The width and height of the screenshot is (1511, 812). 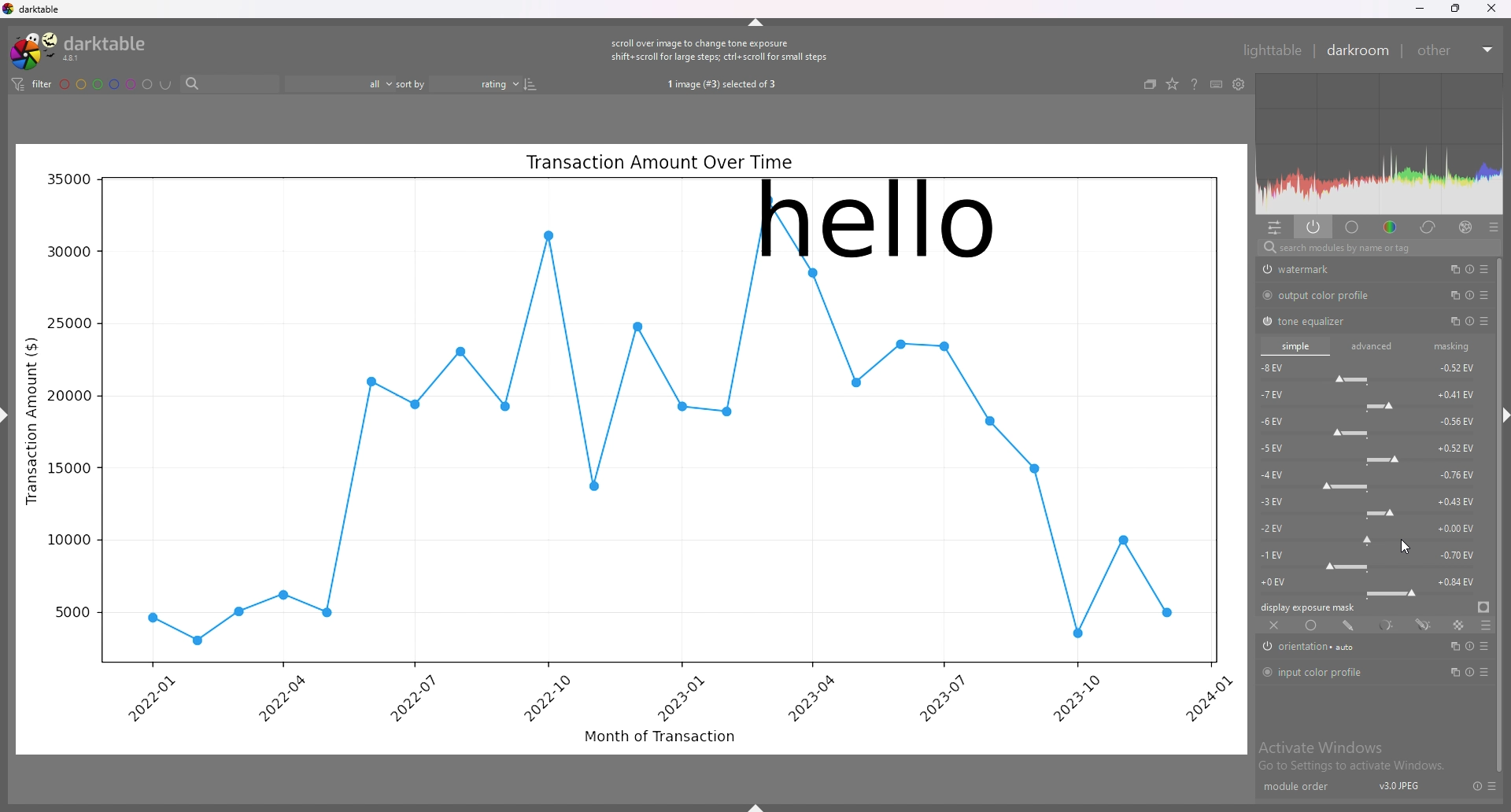 What do you see at coordinates (84, 50) in the screenshot?
I see `darktable logo` at bounding box center [84, 50].